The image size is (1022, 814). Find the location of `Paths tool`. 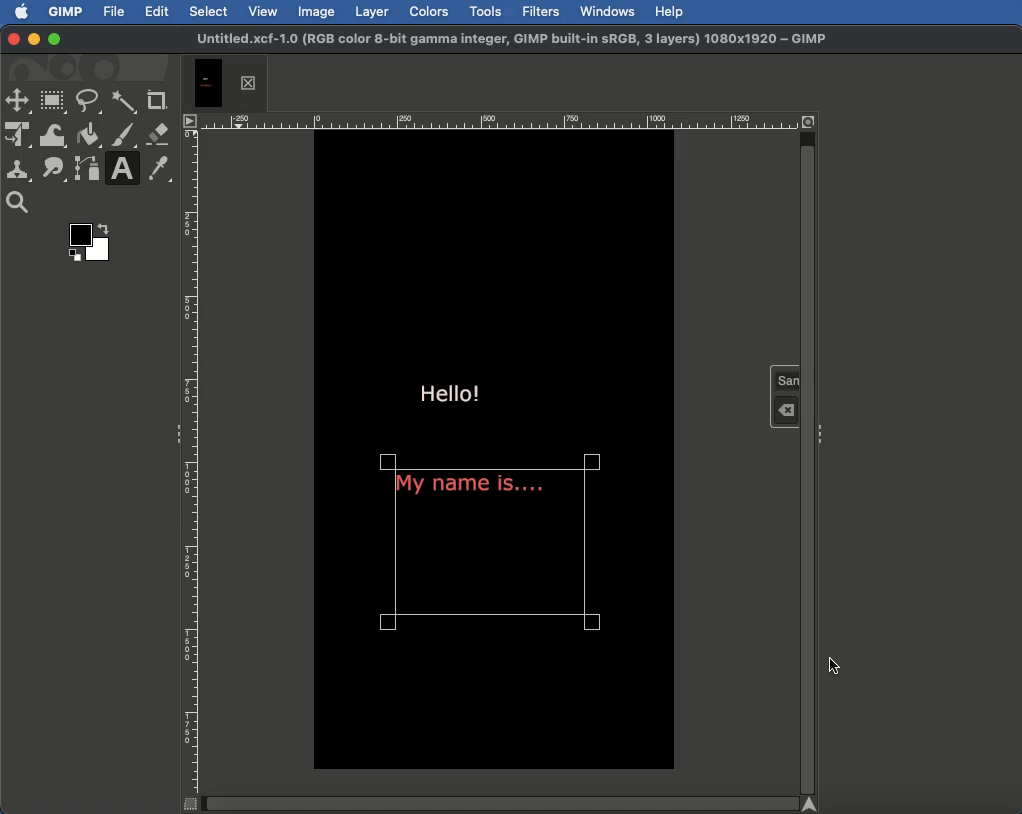

Paths tool is located at coordinates (86, 167).